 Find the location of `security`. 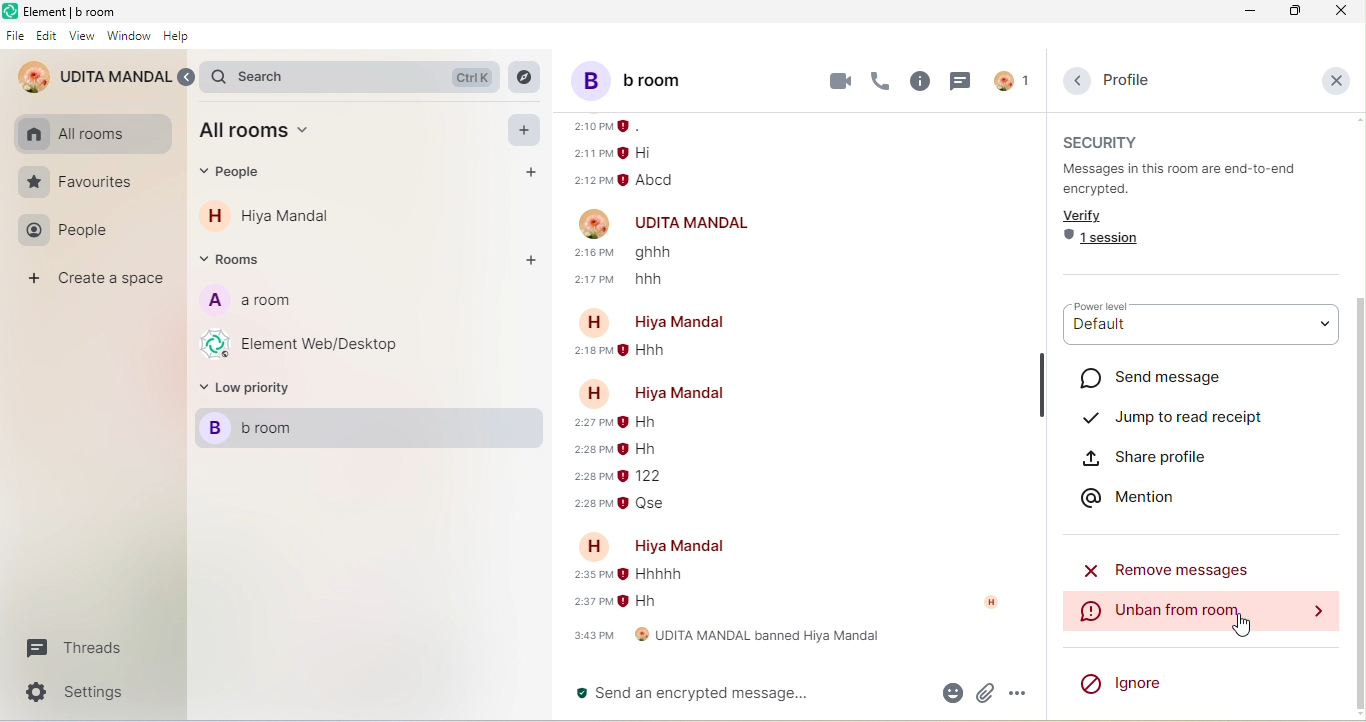

security is located at coordinates (1107, 141).